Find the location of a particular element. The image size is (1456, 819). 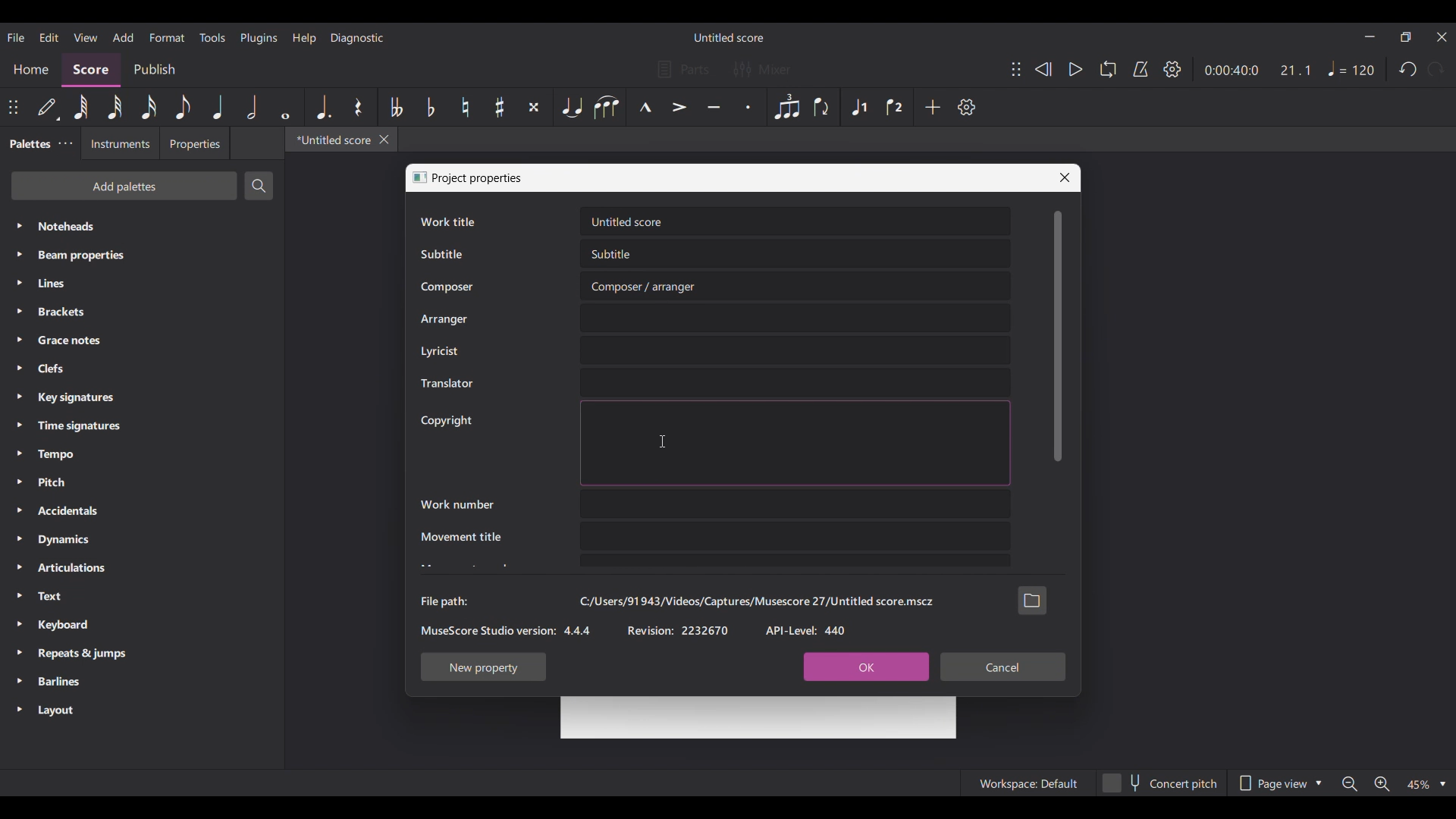

Properties is located at coordinates (194, 143).